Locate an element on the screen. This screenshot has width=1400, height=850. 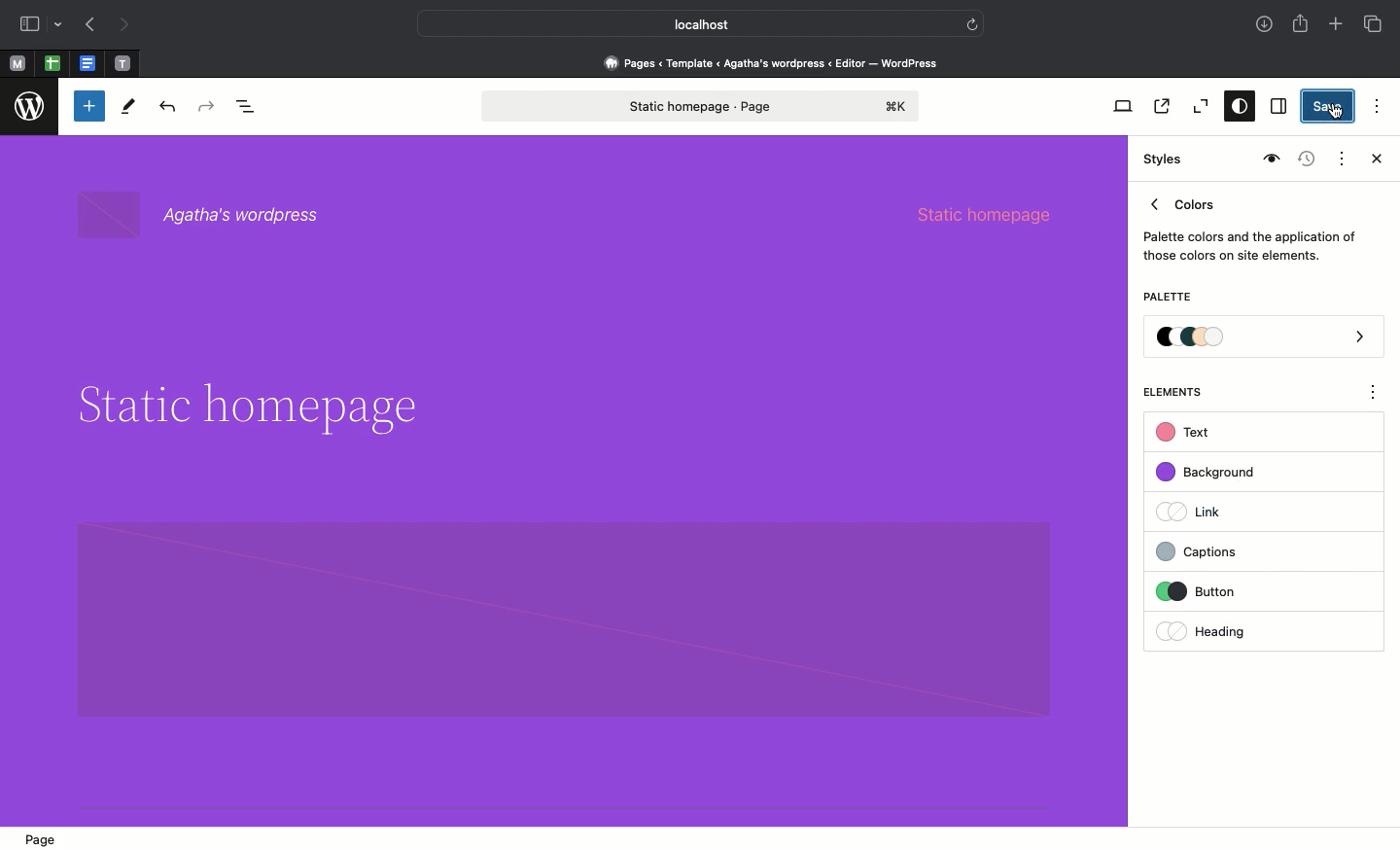
Styles is located at coordinates (1235, 108).